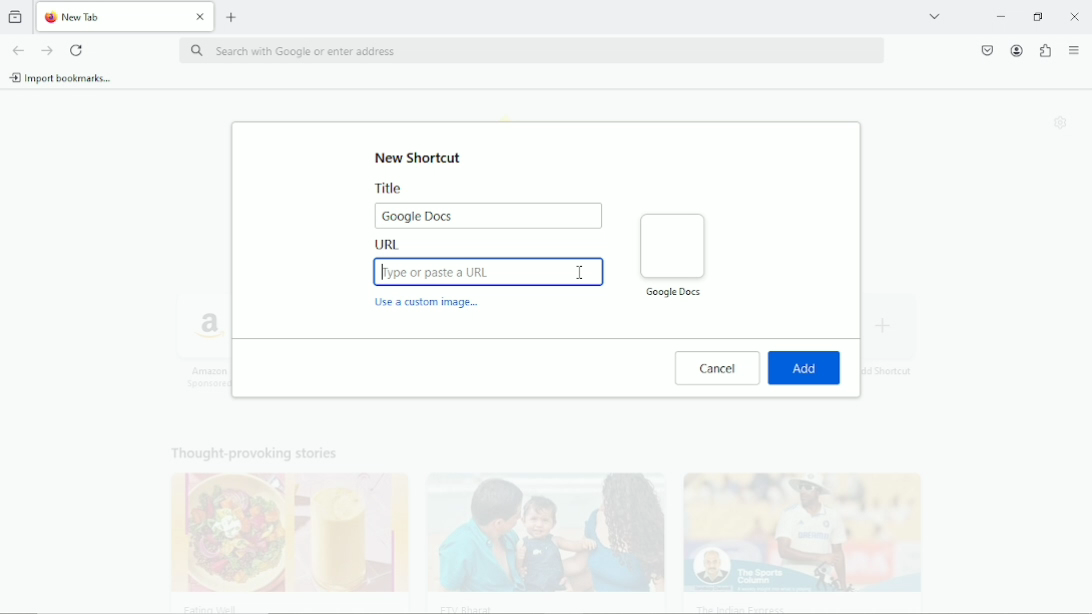 This screenshot has width=1092, height=614. Describe the element at coordinates (530, 52) in the screenshot. I see `search with Google or enter address` at that location.